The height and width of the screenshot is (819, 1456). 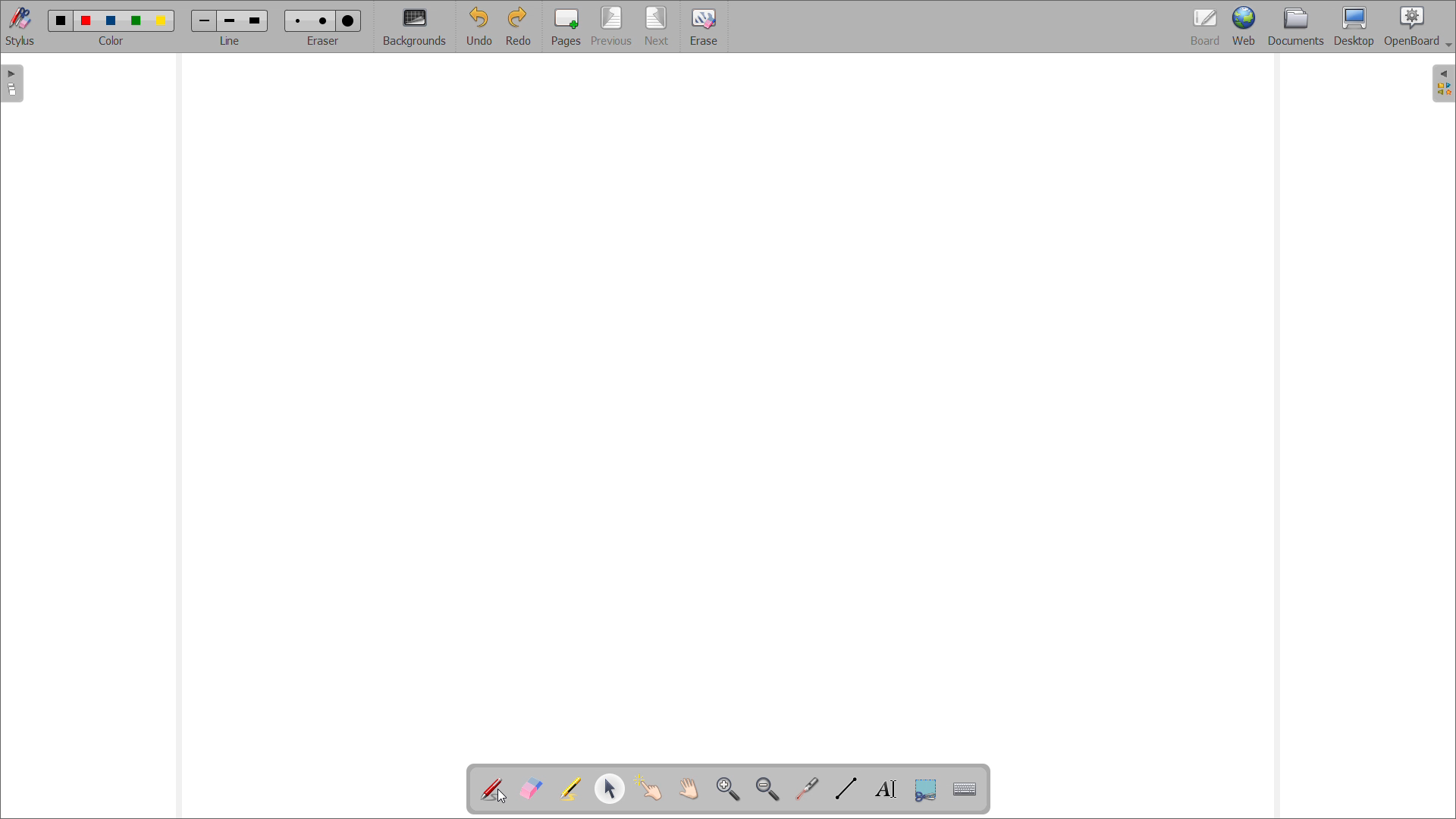 What do you see at coordinates (299, 20) in the screenshot?
I see `Eraser size` at bounding box center [299, 20].